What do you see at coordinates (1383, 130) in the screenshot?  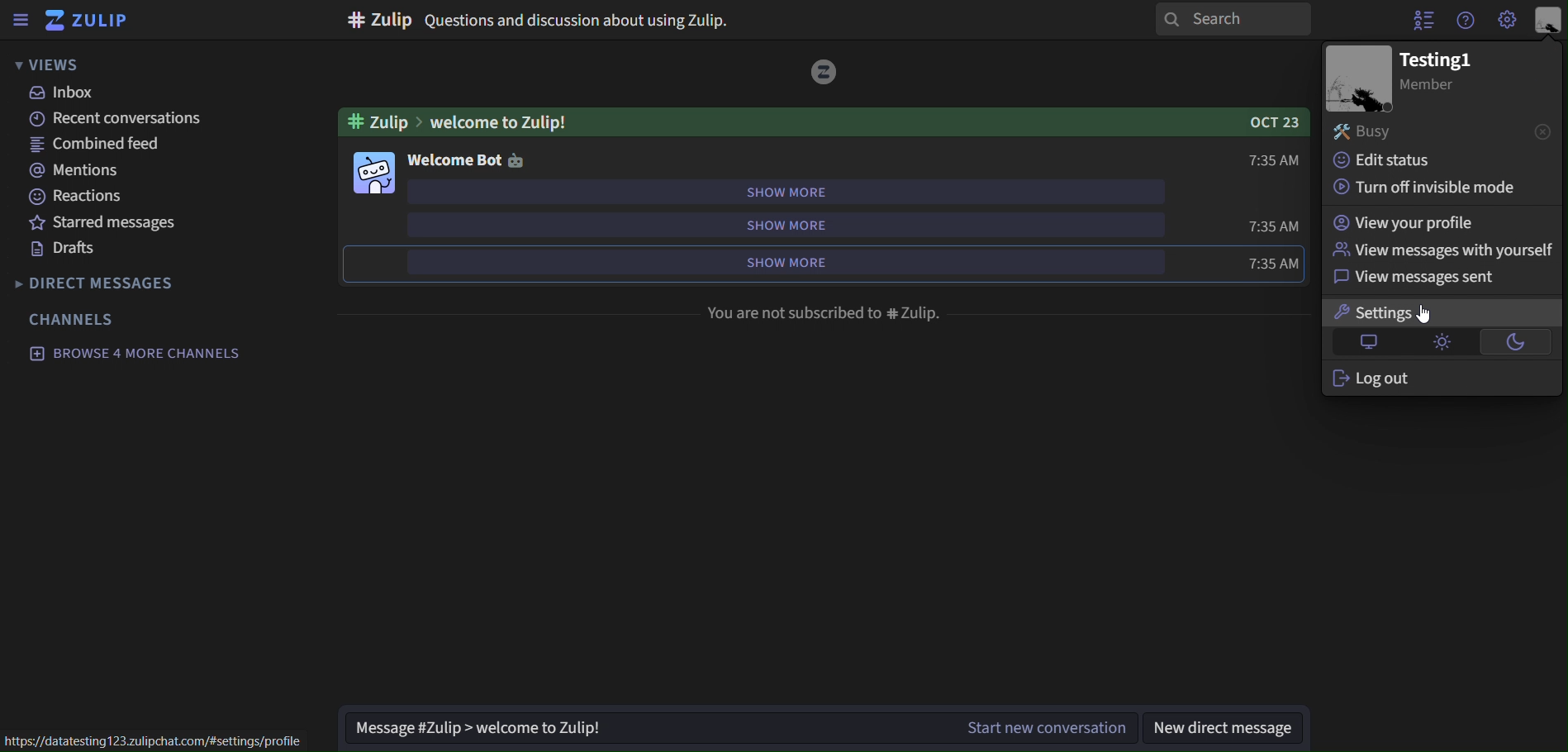 I see `busy` at bounding box center [1383, 130].